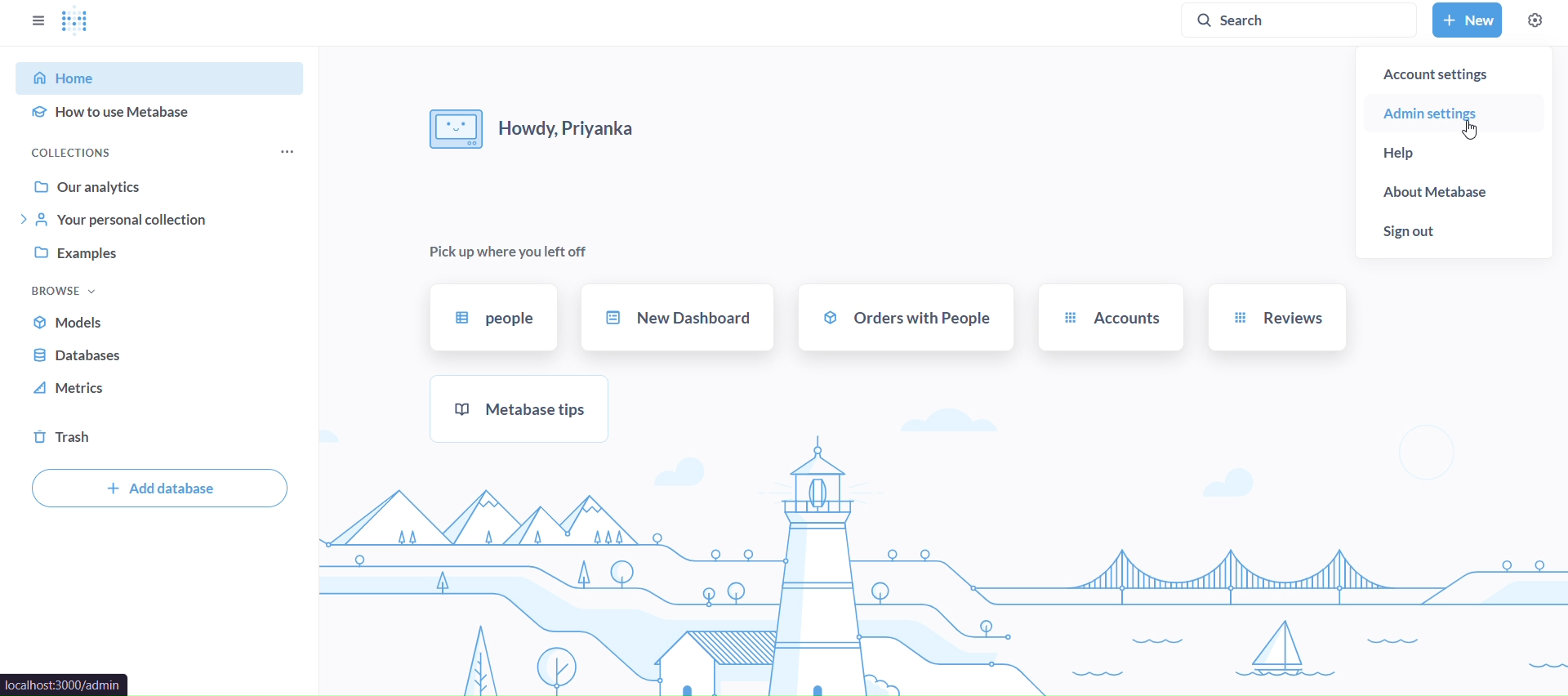  Describe the element at coordinates (162, 114) in the screenshot. I see `how to use metabase` at that location.